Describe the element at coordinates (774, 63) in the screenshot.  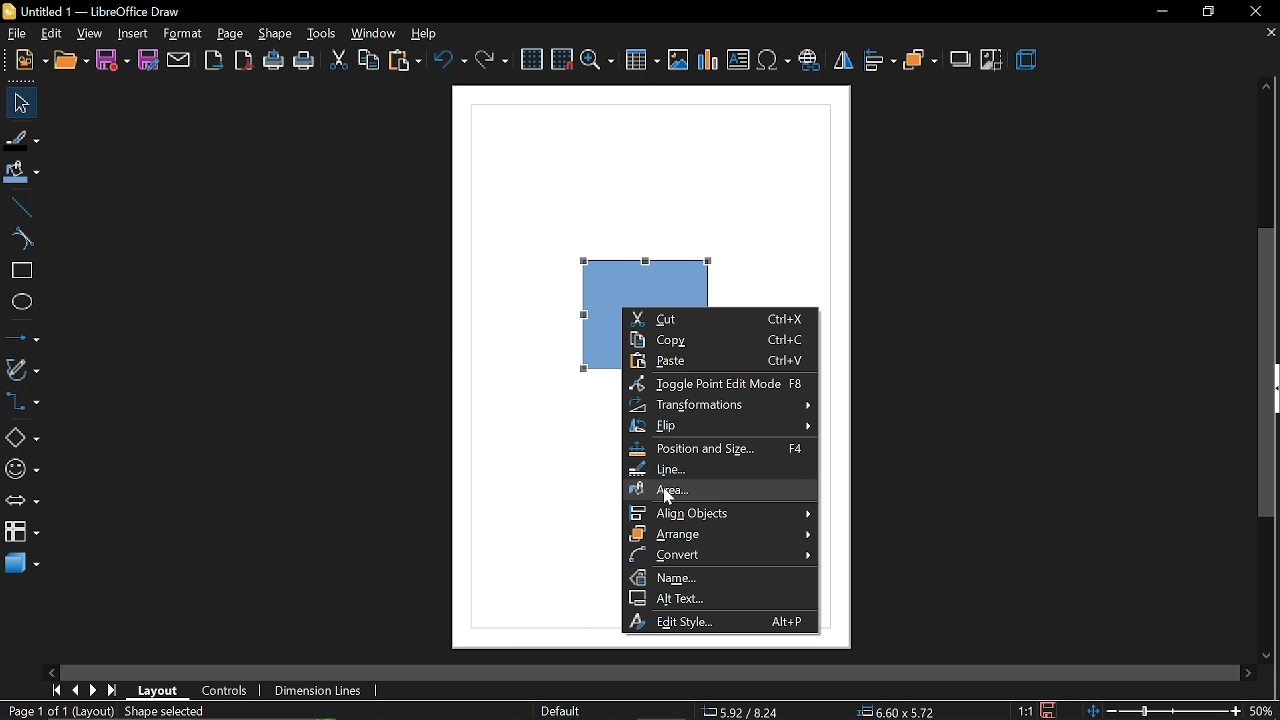
I see `Insert symbol` at that location.